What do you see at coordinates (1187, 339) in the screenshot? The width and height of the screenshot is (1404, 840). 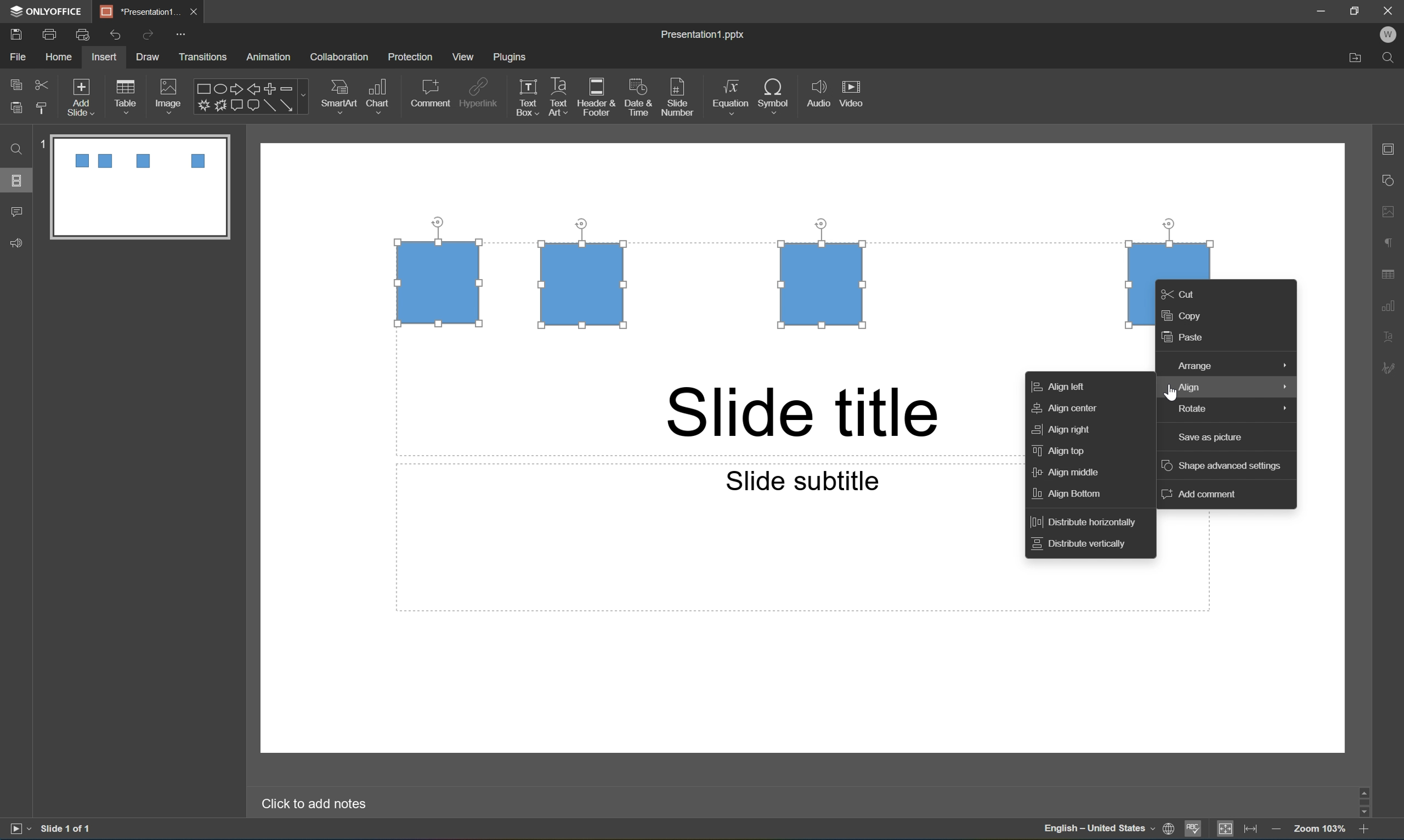 I see `paste` at bounding box center [1187, 339].